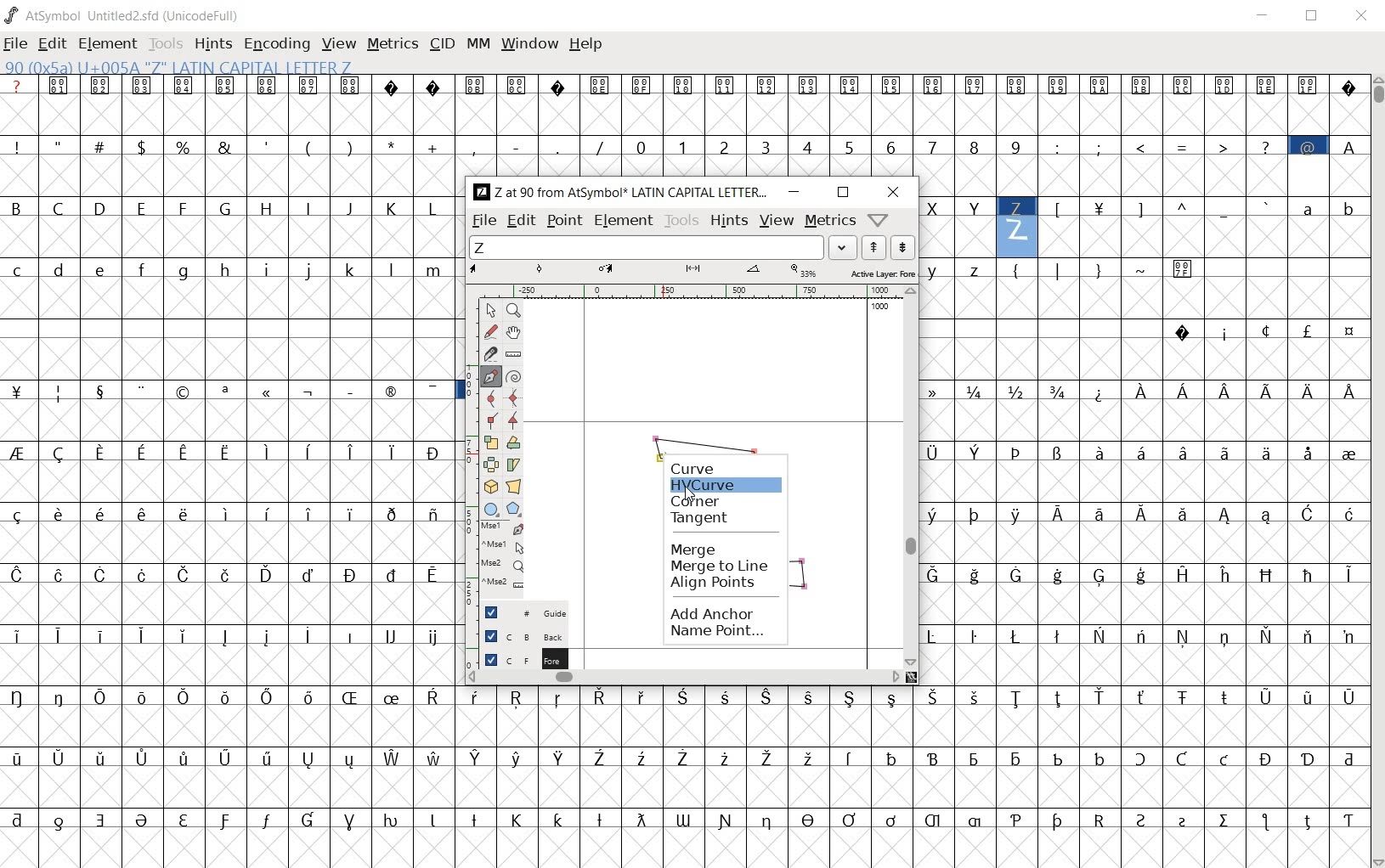 This screenshot has height=868, width=1385. What do you see at coordinates (490, 311) in the screenshot?
I see `POINTER` at bounding box center [490, 311].